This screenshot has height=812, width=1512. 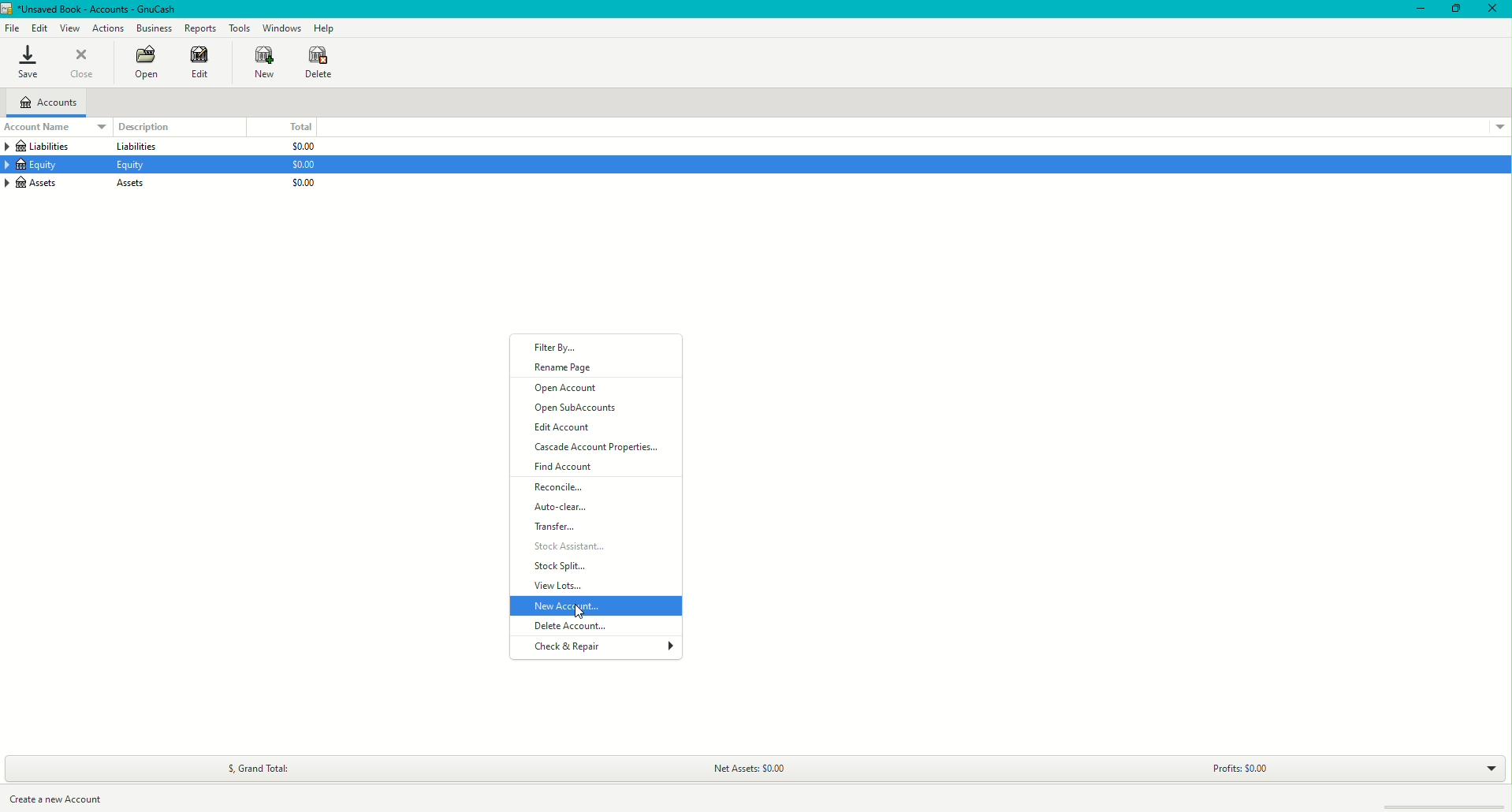 What do you see at coordinates (564, 606) in the screenshot?
I see `New Account` at bounding box center [564, 606].